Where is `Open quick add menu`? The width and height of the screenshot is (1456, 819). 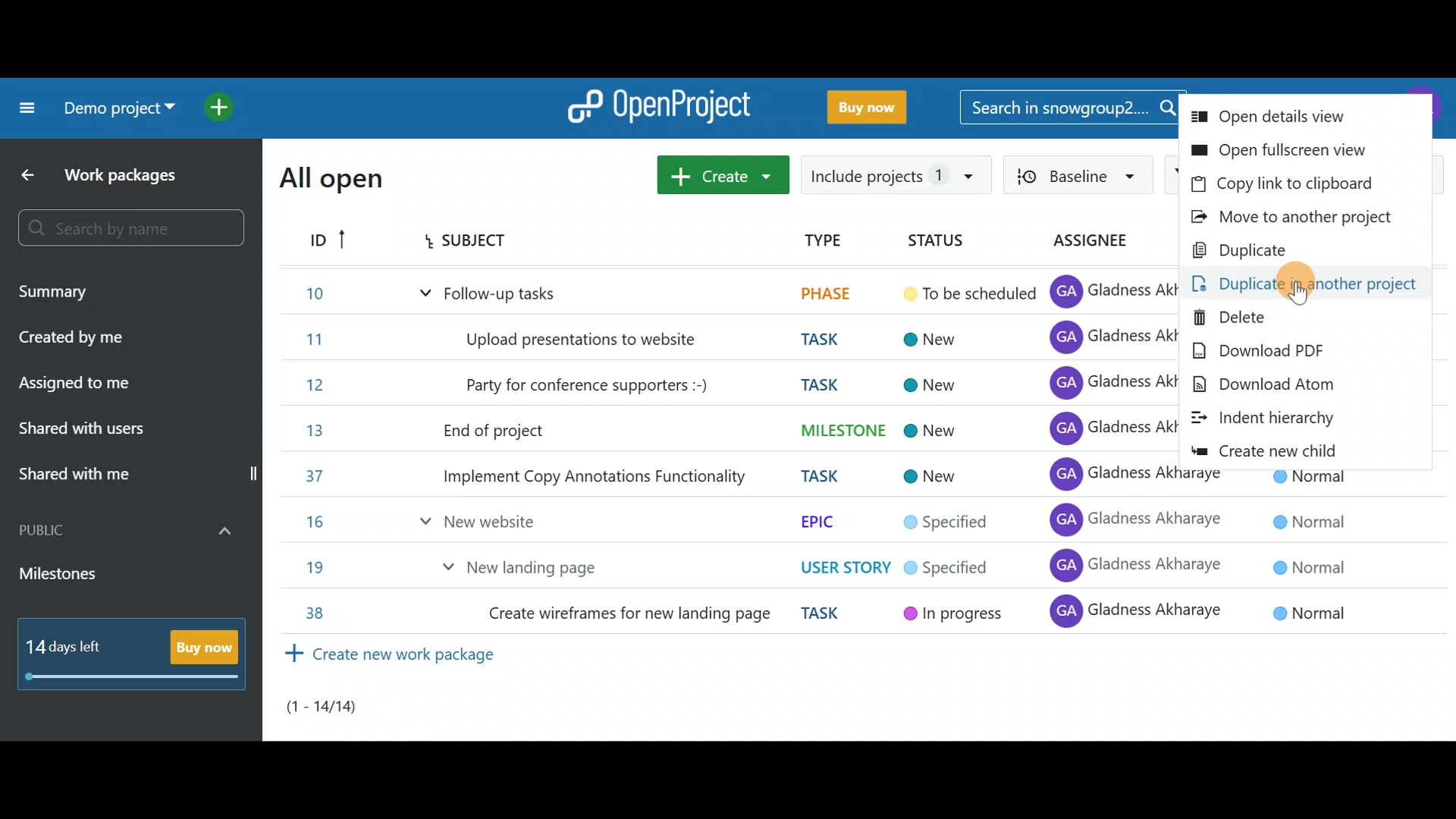
Open quick add menu is located at coordinates (223, 104).